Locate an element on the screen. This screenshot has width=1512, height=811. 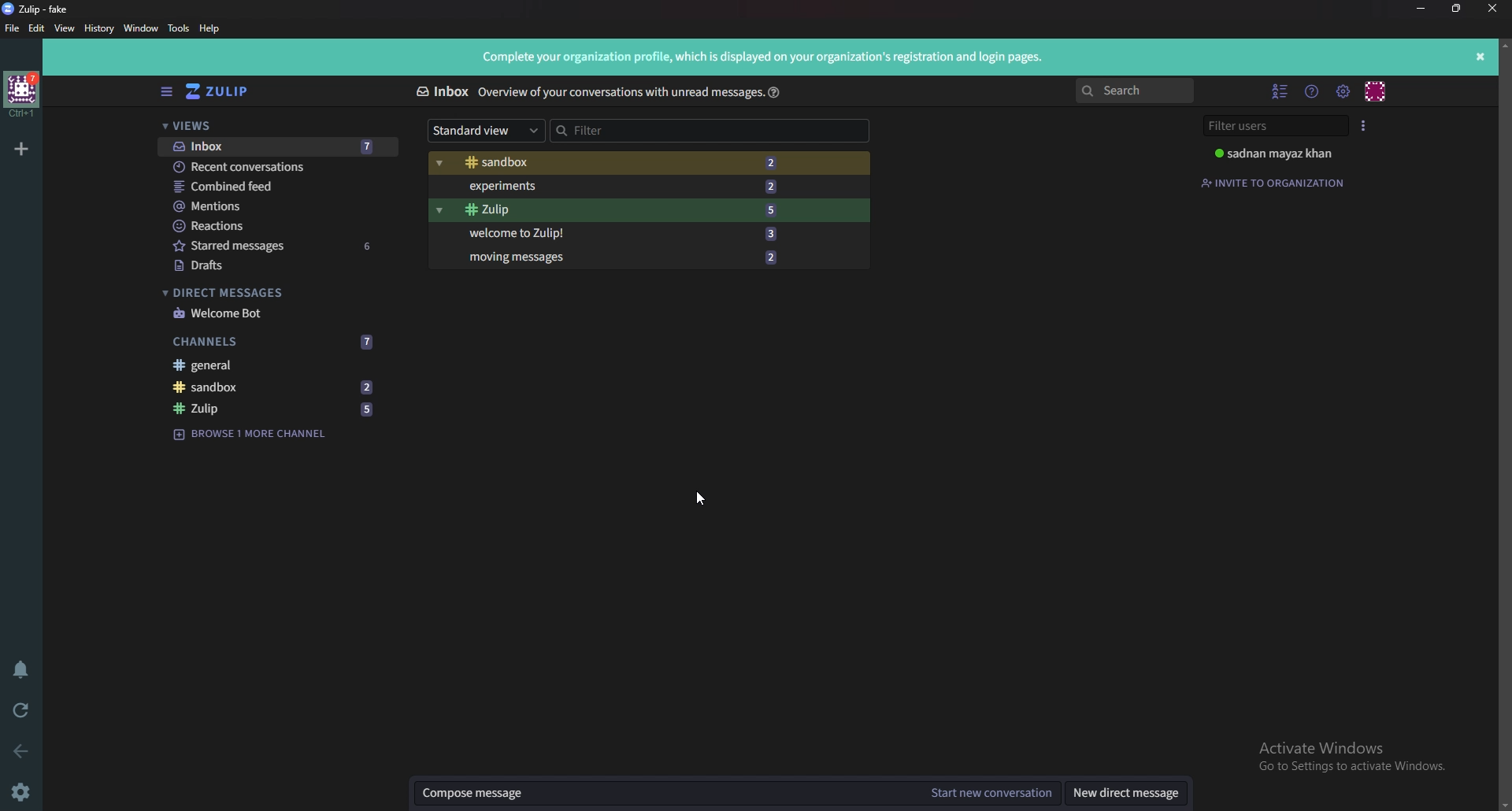
General is located at coordinates (271, 366).